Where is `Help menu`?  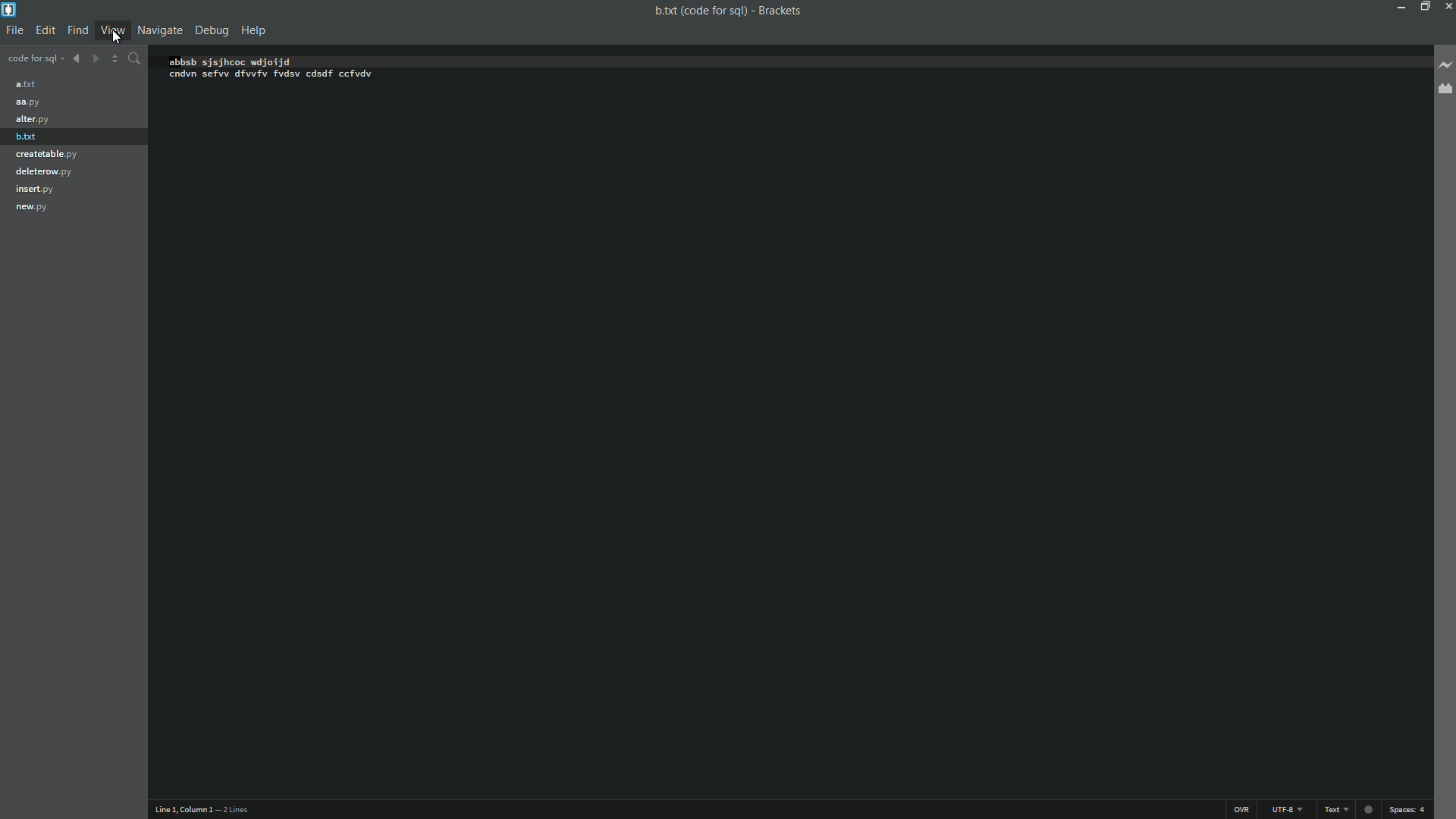 Help menu is located at coordinates (256, 31).